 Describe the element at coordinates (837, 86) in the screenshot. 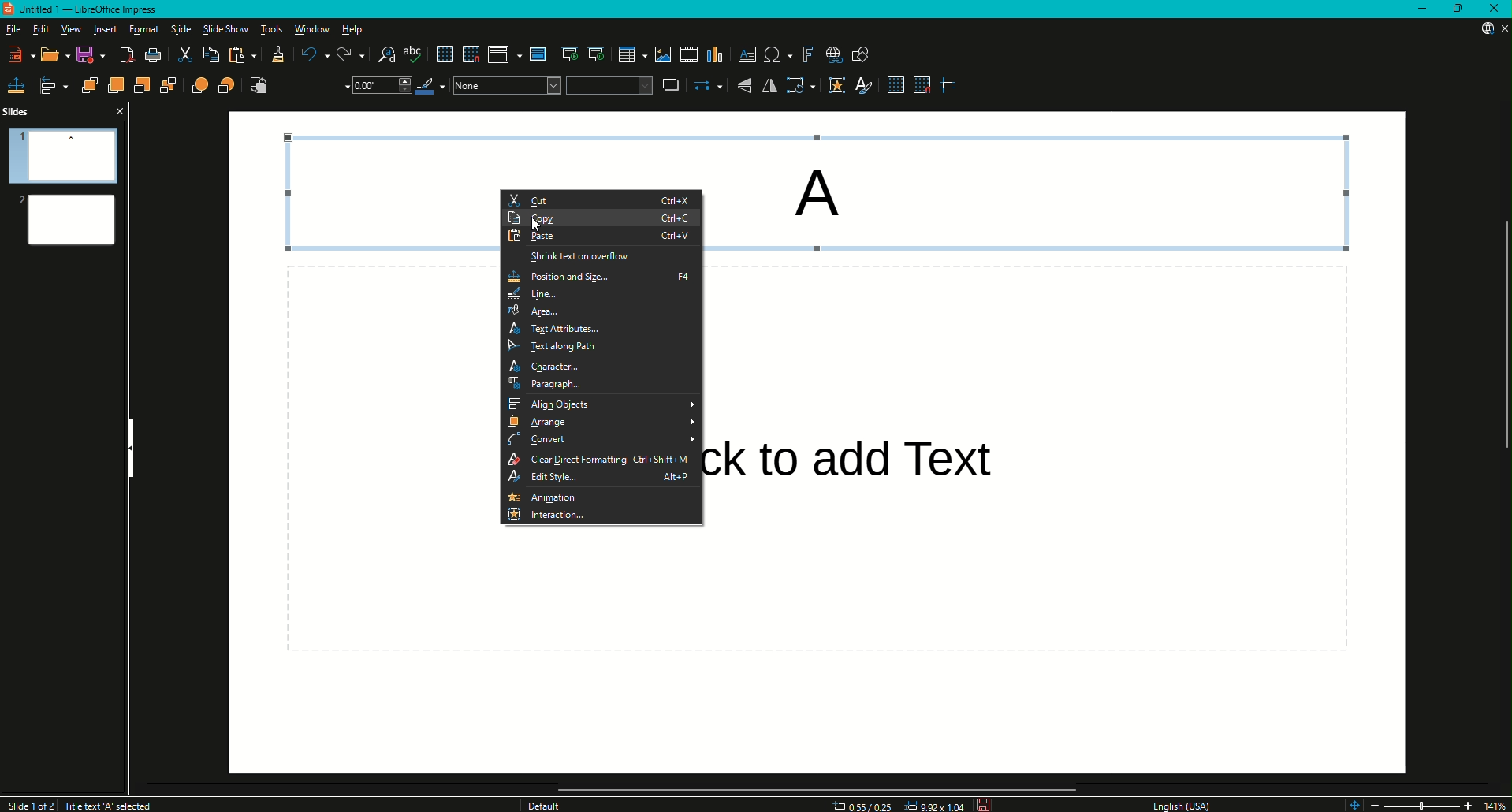

I see `Interaction` at that location.